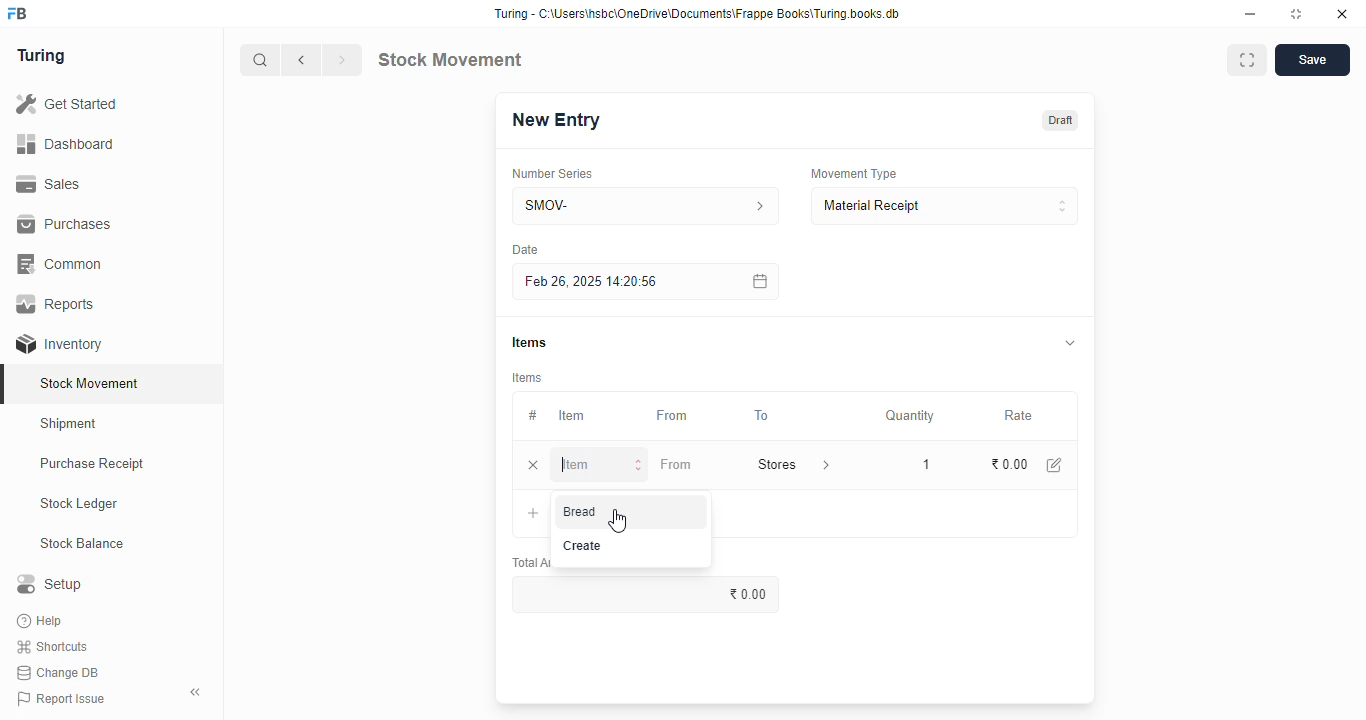 This screenshot has height=720, width=1366. Describe the element at coordinates (449, 59) in the screenshot. I see `stock movement` at that location.